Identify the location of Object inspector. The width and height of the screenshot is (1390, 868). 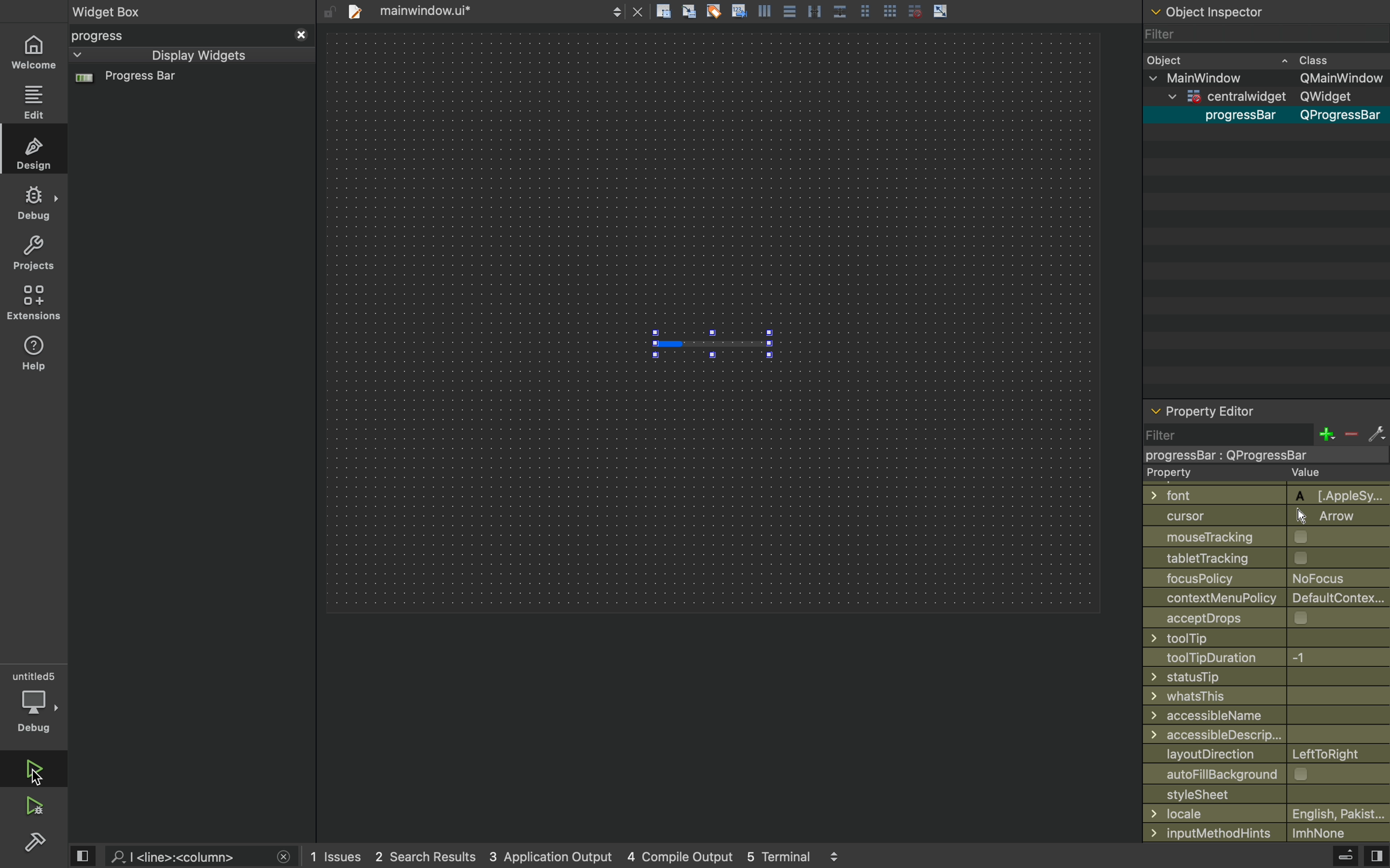
(1267, 10).